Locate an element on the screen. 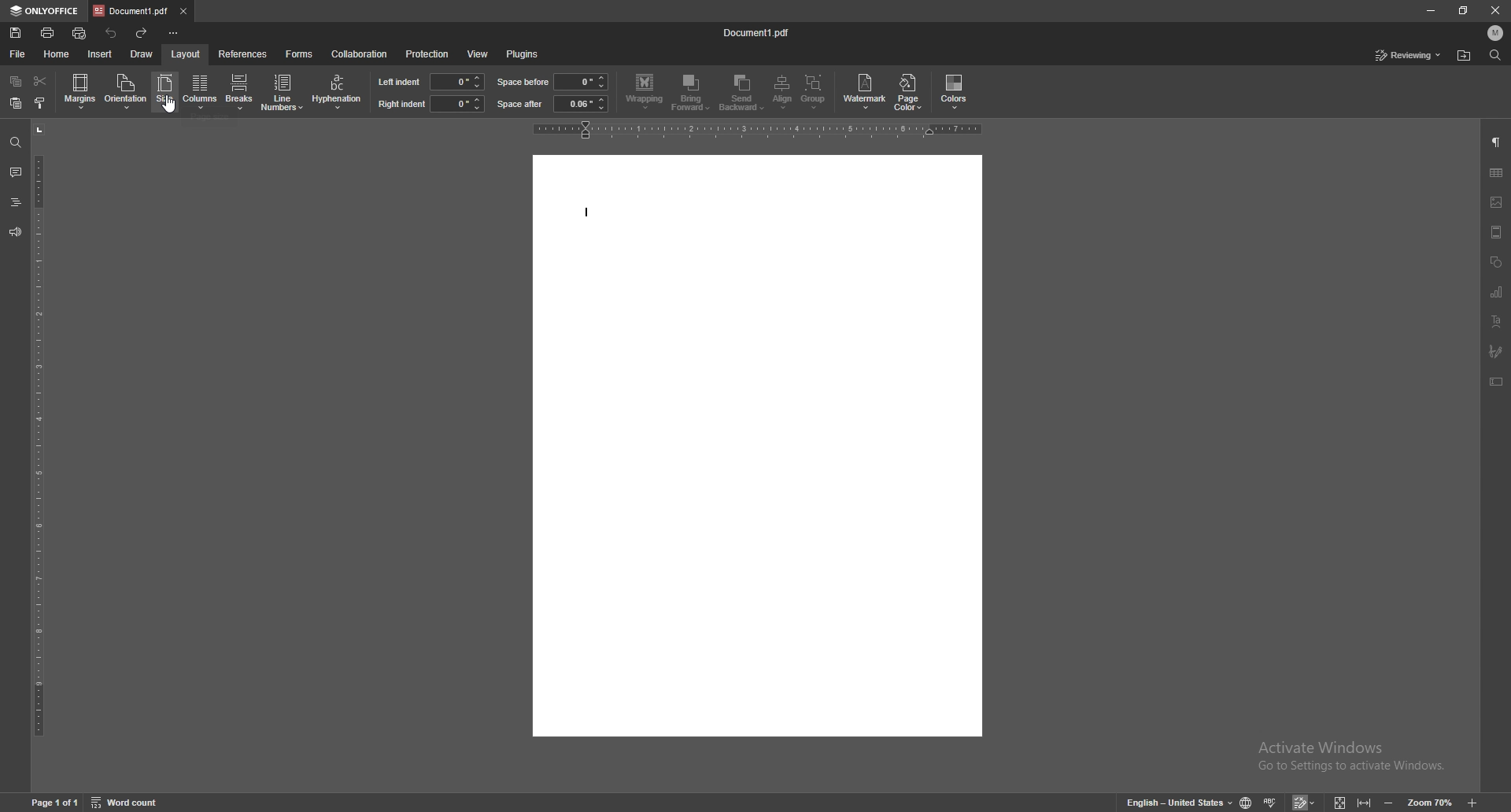 This screenshot has width=1511, height=812. right indent is located at coordinates (401, 105).